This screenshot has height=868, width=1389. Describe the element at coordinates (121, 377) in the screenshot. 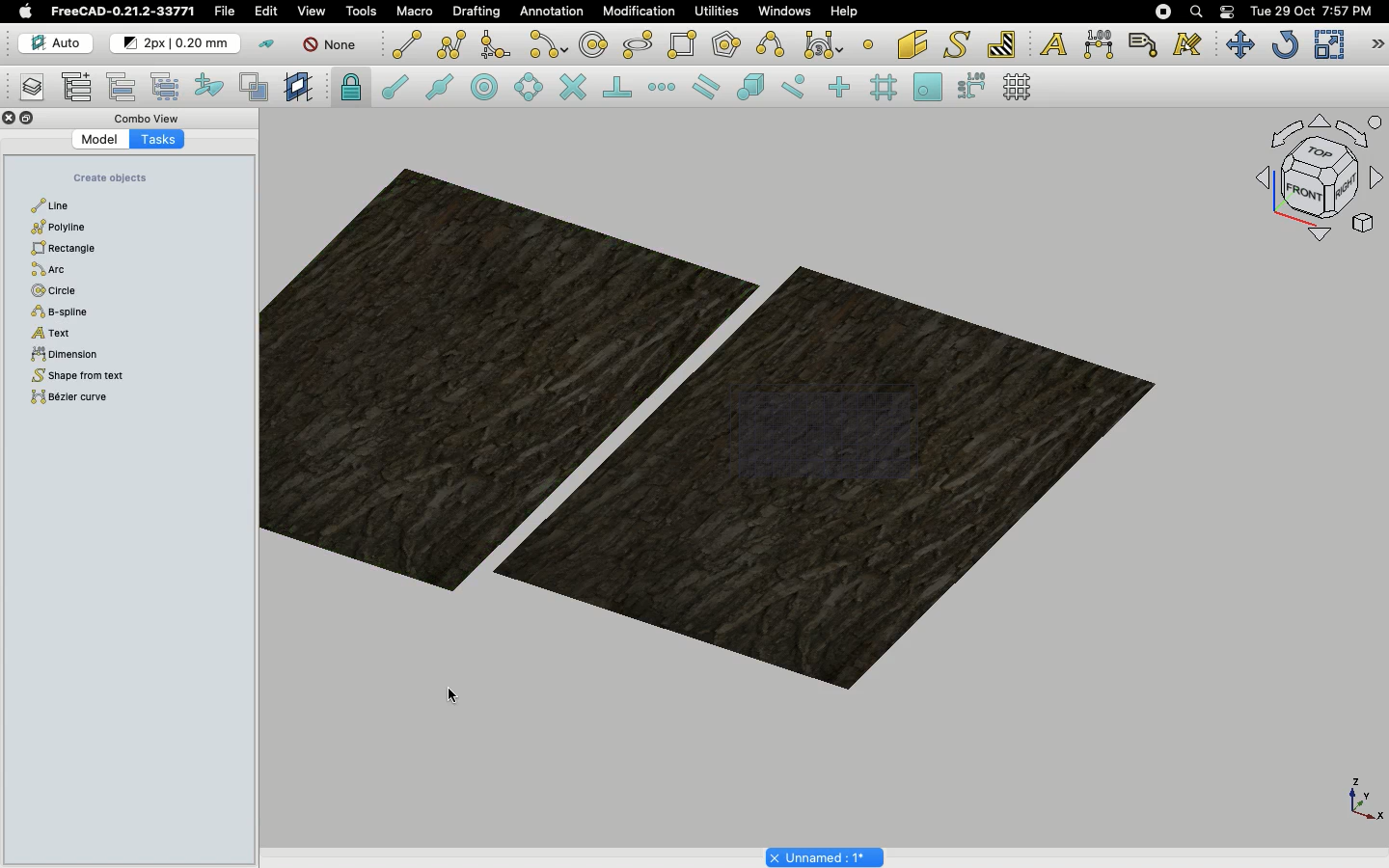

I see `' Shape from text` at that location.